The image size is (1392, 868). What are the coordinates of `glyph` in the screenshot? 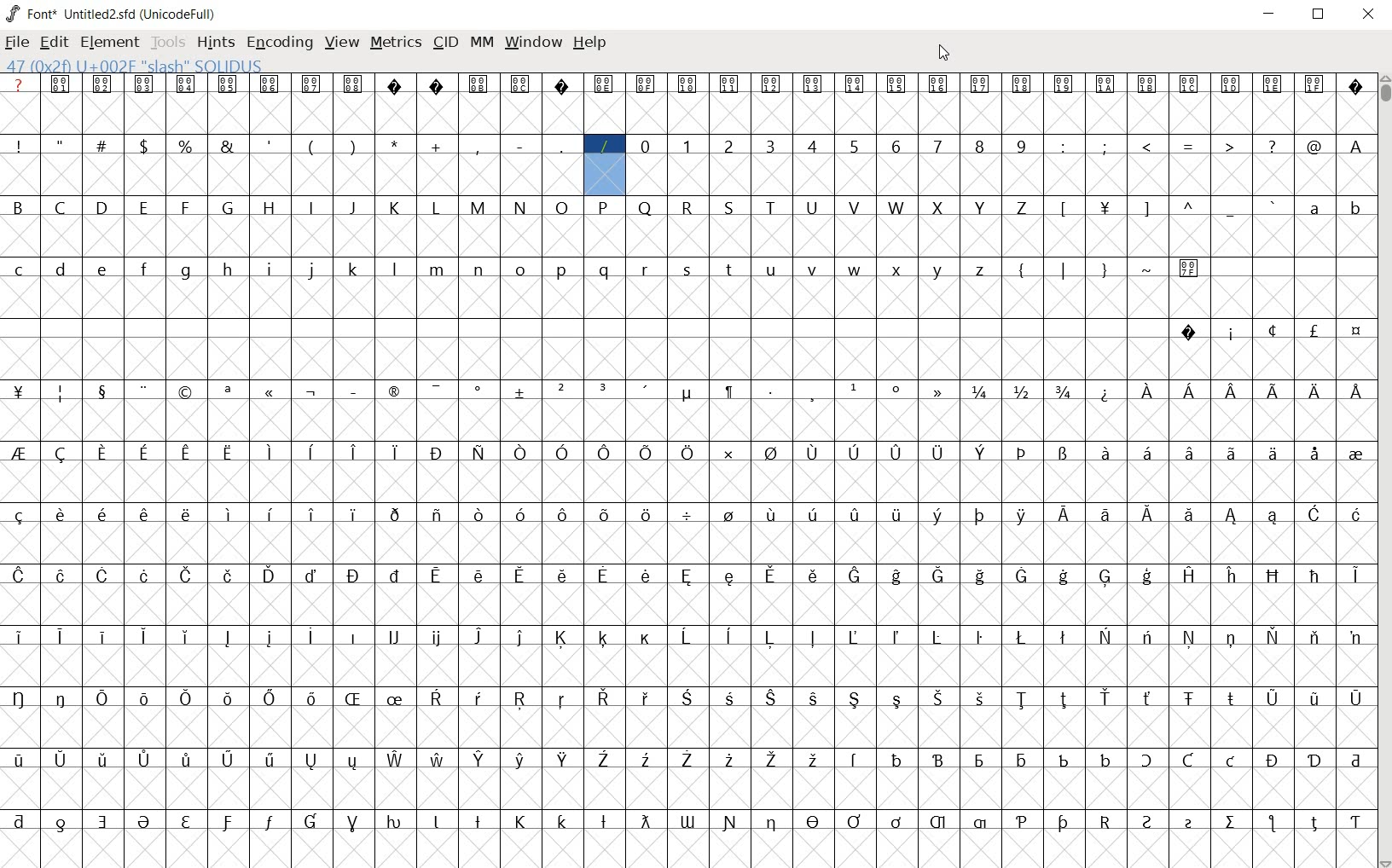 It's located at (437, 86).